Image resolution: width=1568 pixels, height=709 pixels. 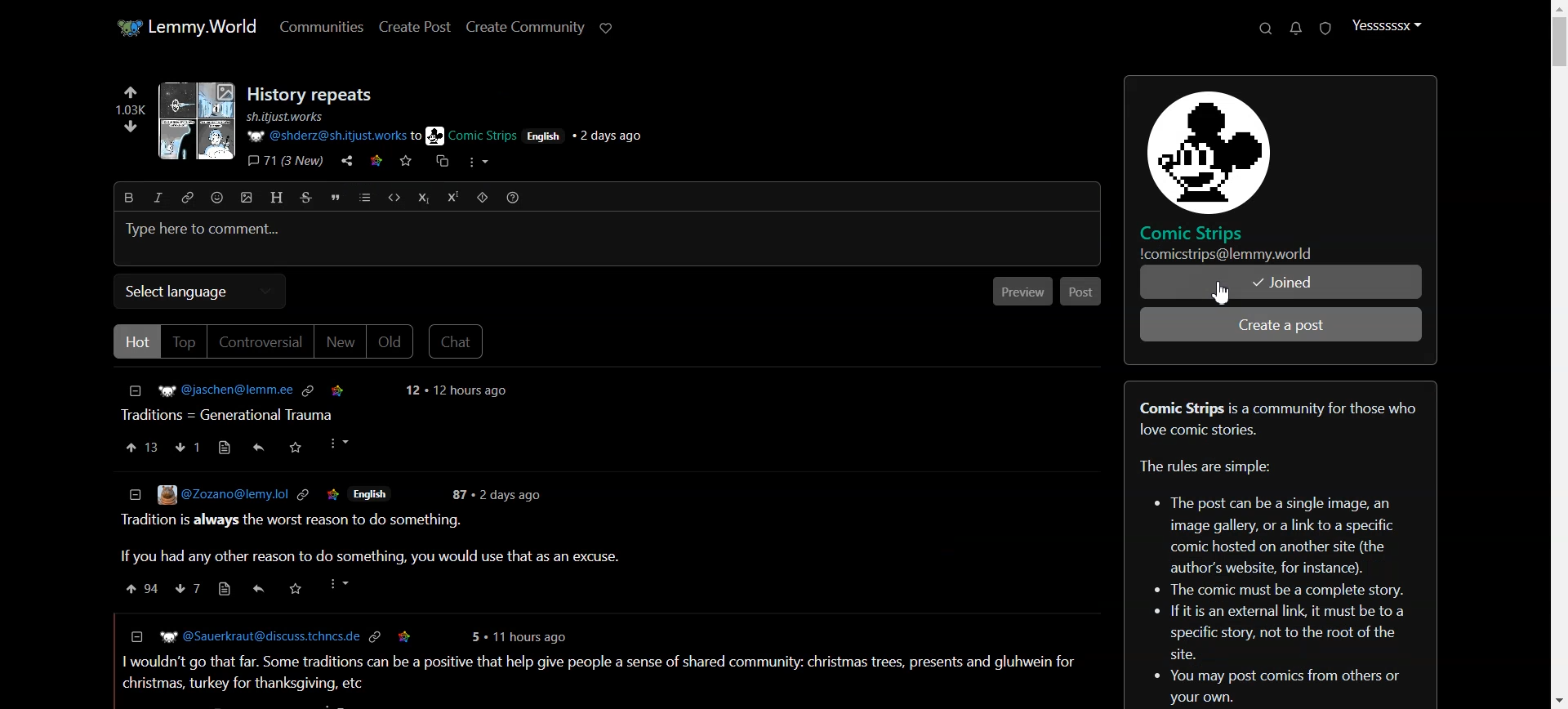 What do you see at coordinates (485, 136) in the screenshot?
I see `to Comic Strips English` at bounding box center [485, 136].